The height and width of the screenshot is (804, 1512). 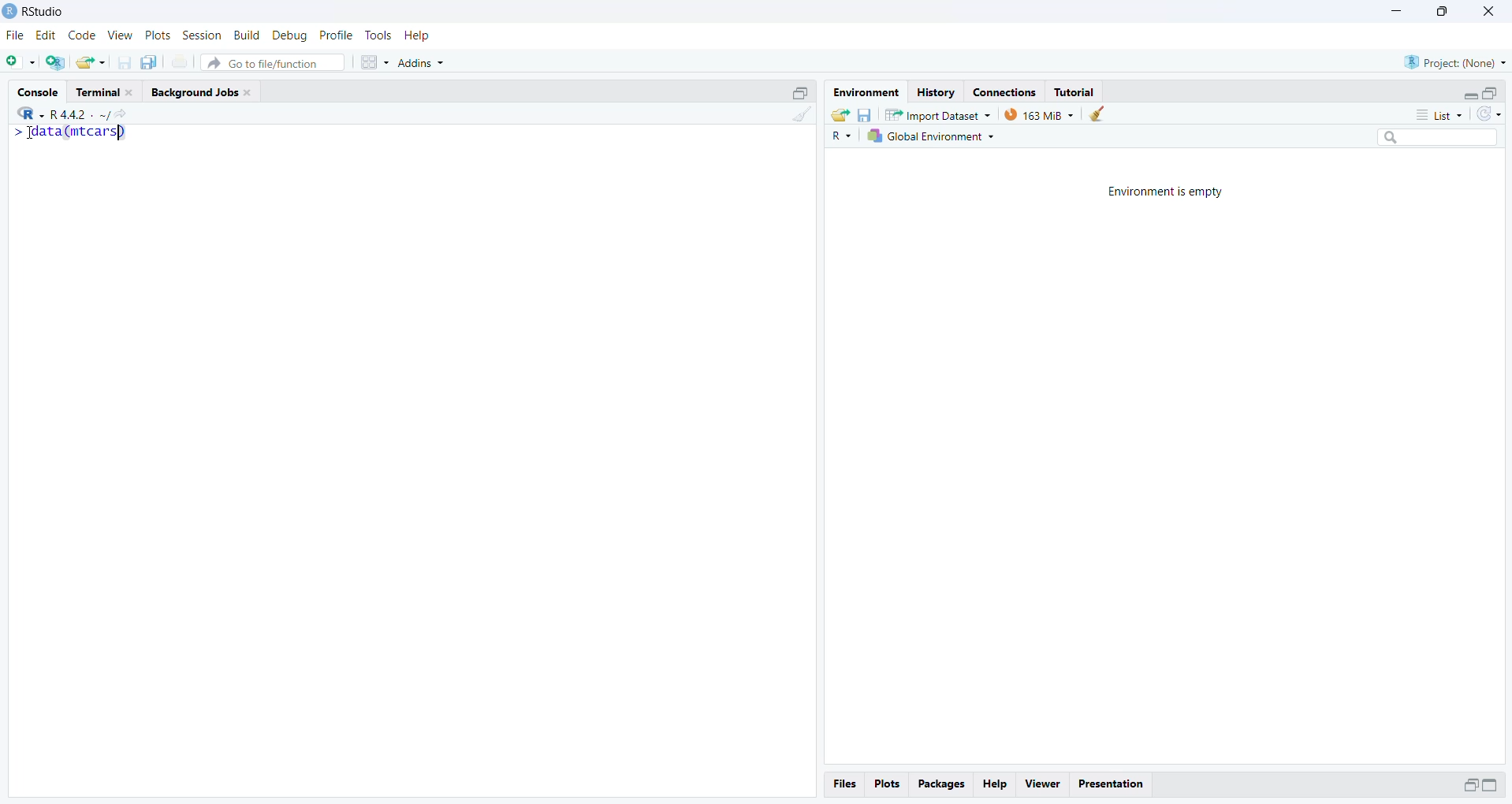 I want to click on code, so click(x=83, y=36).